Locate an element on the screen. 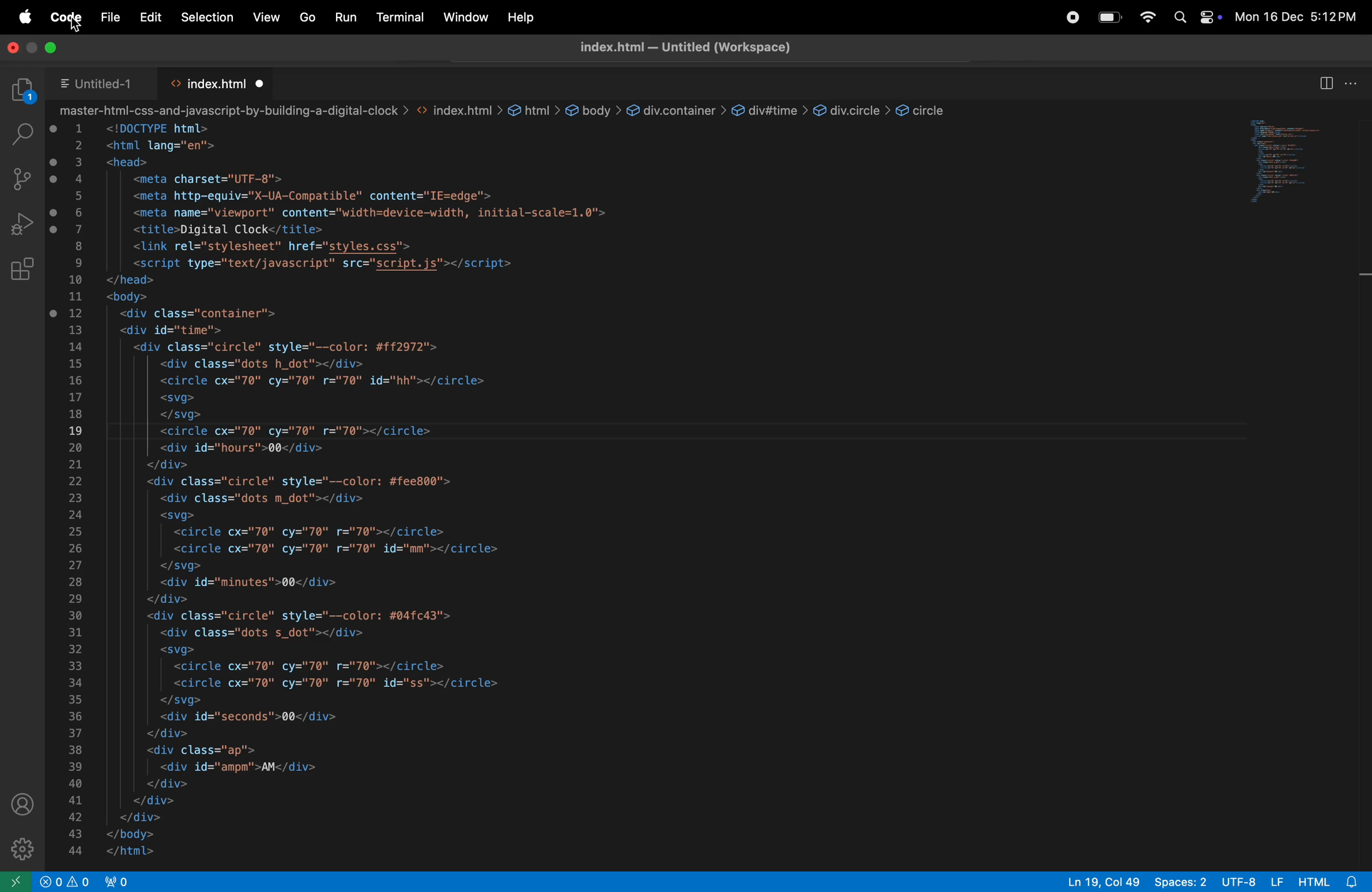  <!DOCTYPE html> is located at coordinates (160, 128).